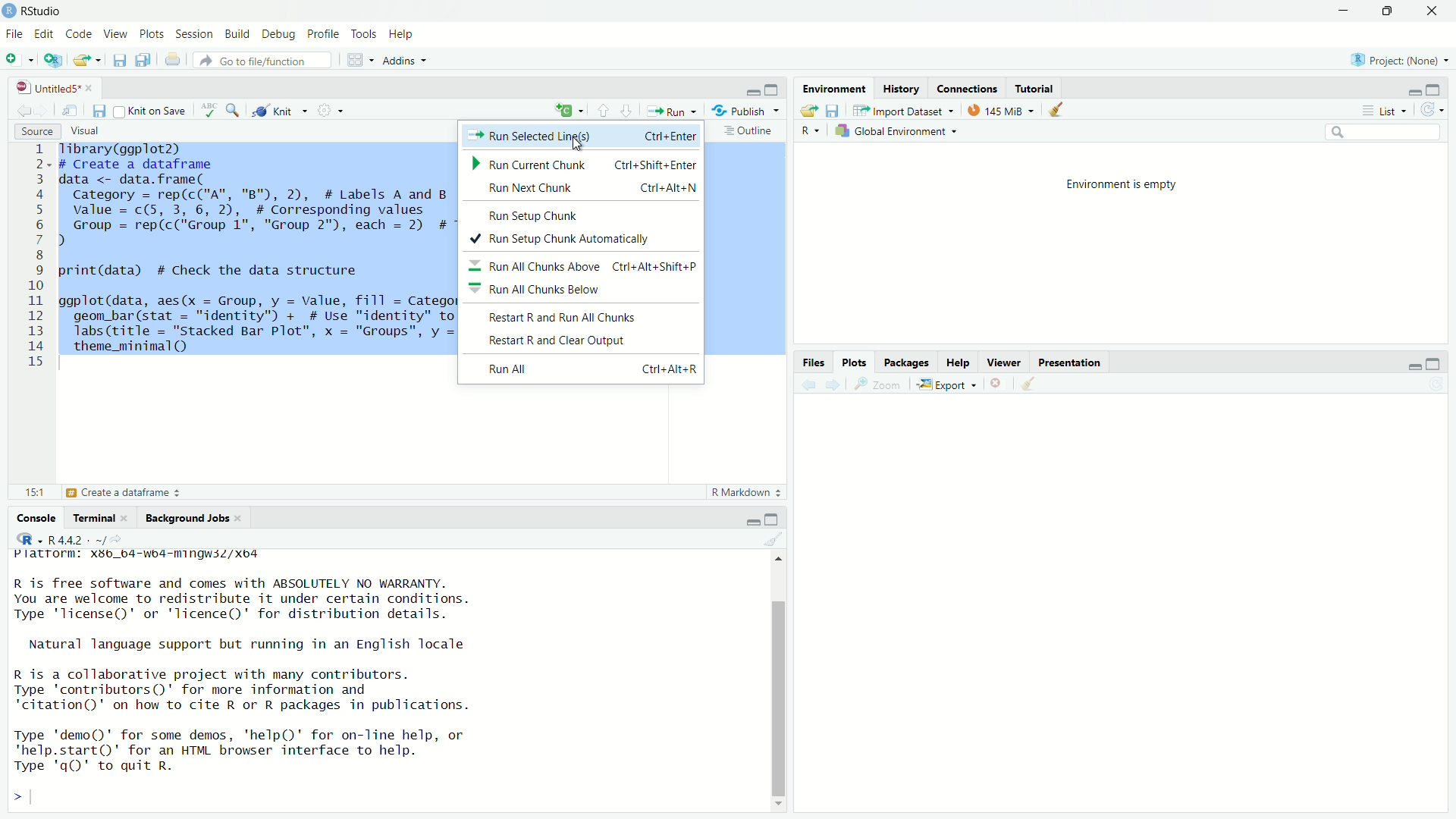  What do you see at coordinates (101, 516) in the screenshot?
I see `Terminal` at bounding box center [101, 516].